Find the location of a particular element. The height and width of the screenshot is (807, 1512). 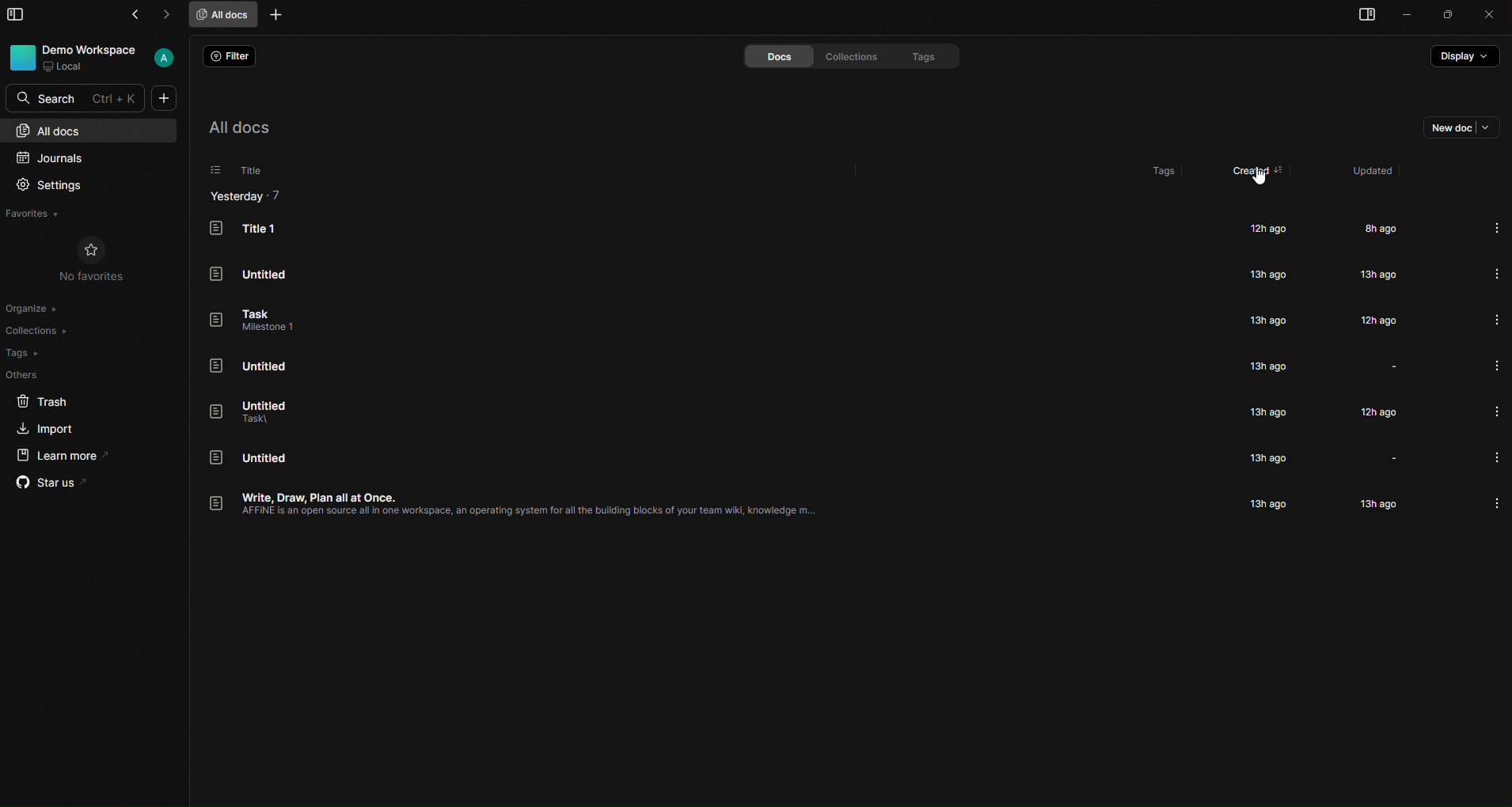

title is located at coordinates (240, 169).